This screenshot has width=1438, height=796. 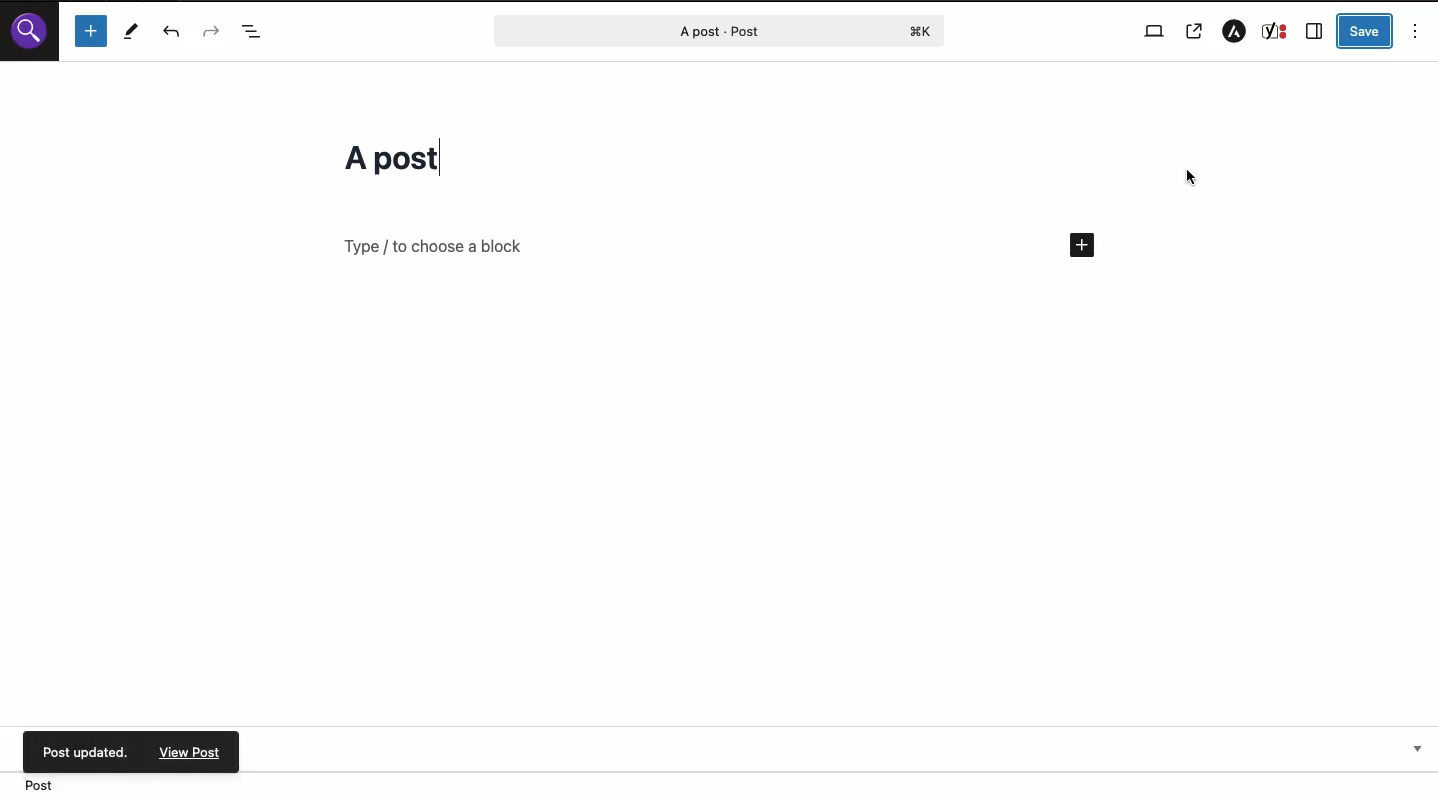 What do you see at coordinates (718, 30) in the screenshot?
I see `Post` at bounding box center [718, 30].